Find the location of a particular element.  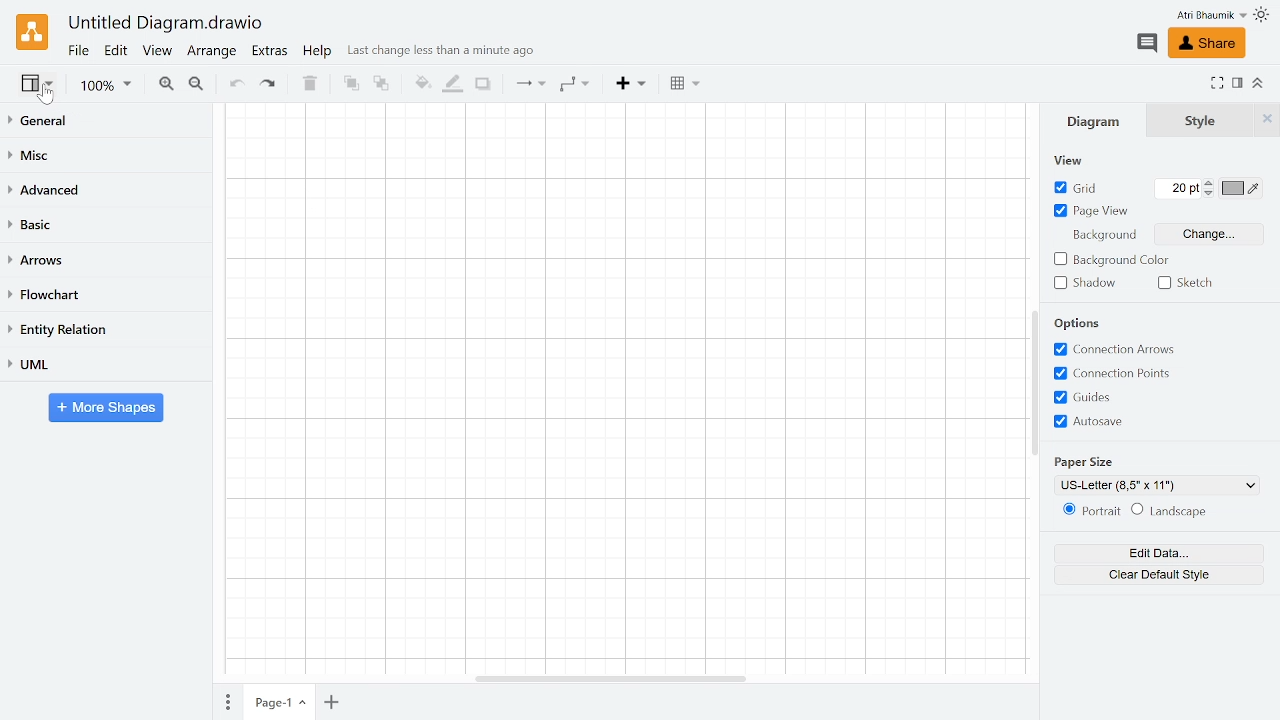

Zoom out is located at coordinates (198, 85).